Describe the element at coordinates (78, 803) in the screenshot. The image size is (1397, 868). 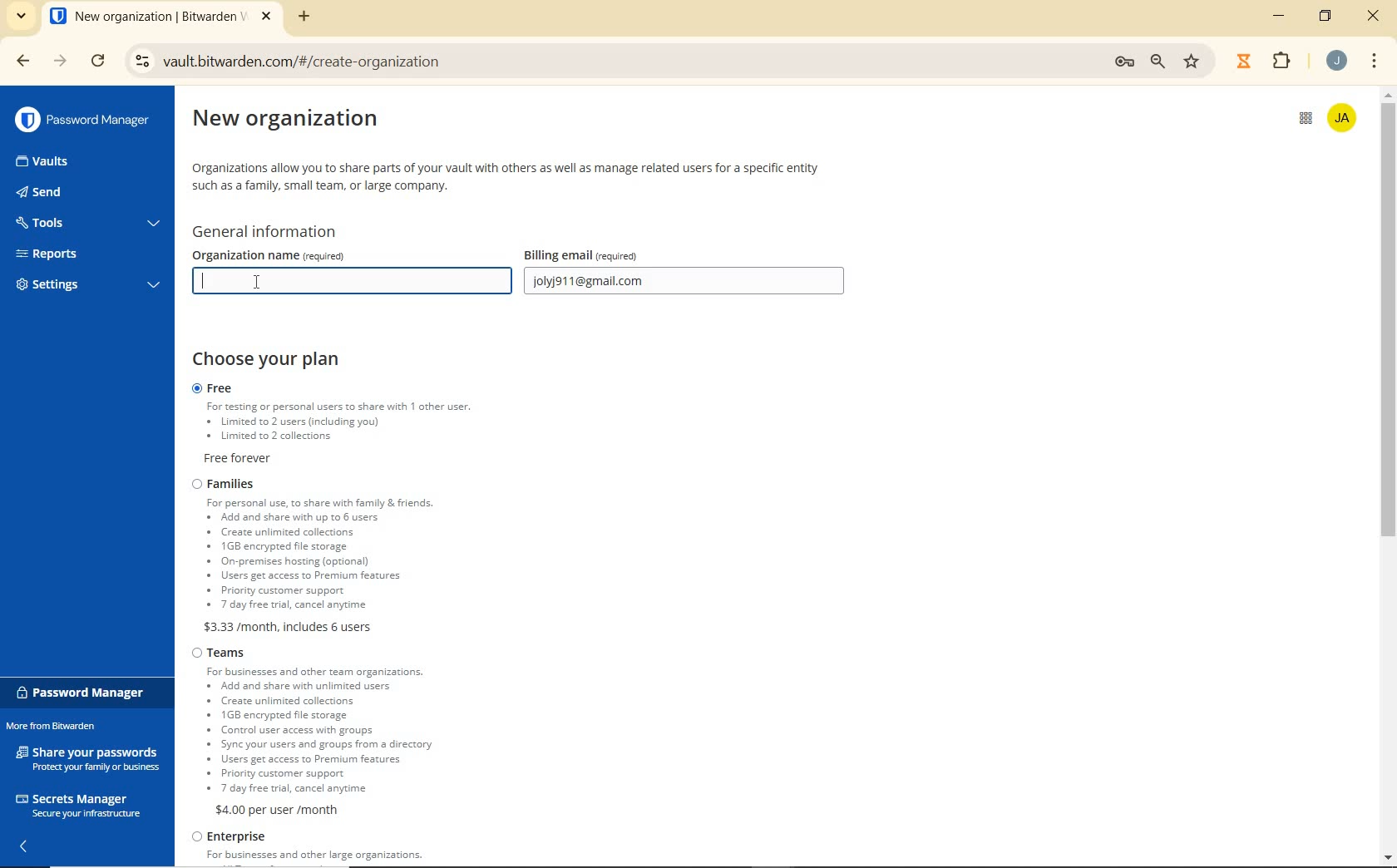
I see `secrets manager` at that location.